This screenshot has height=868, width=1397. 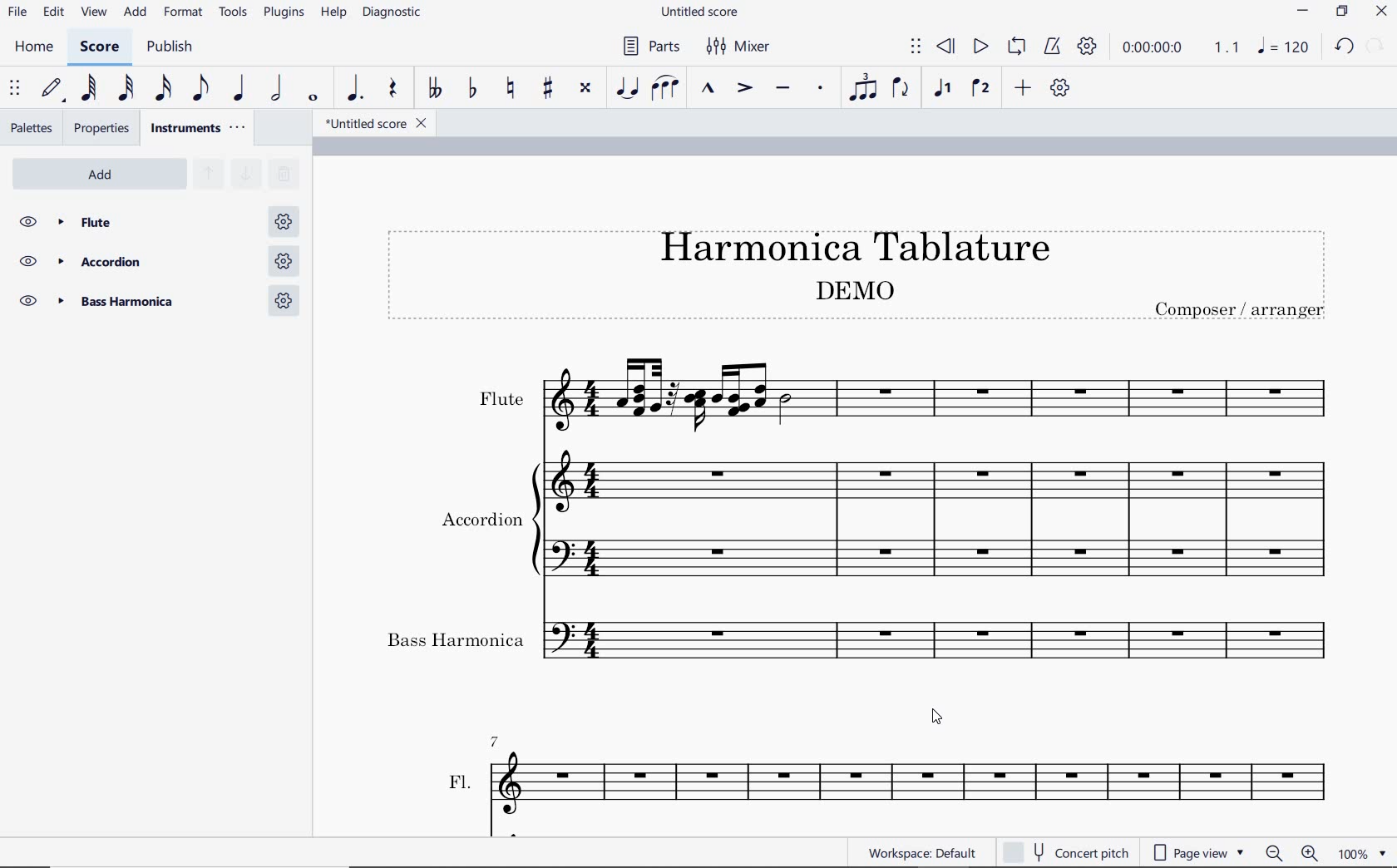 I want to click on Bass Harmonica, so click(x=860, y=640).